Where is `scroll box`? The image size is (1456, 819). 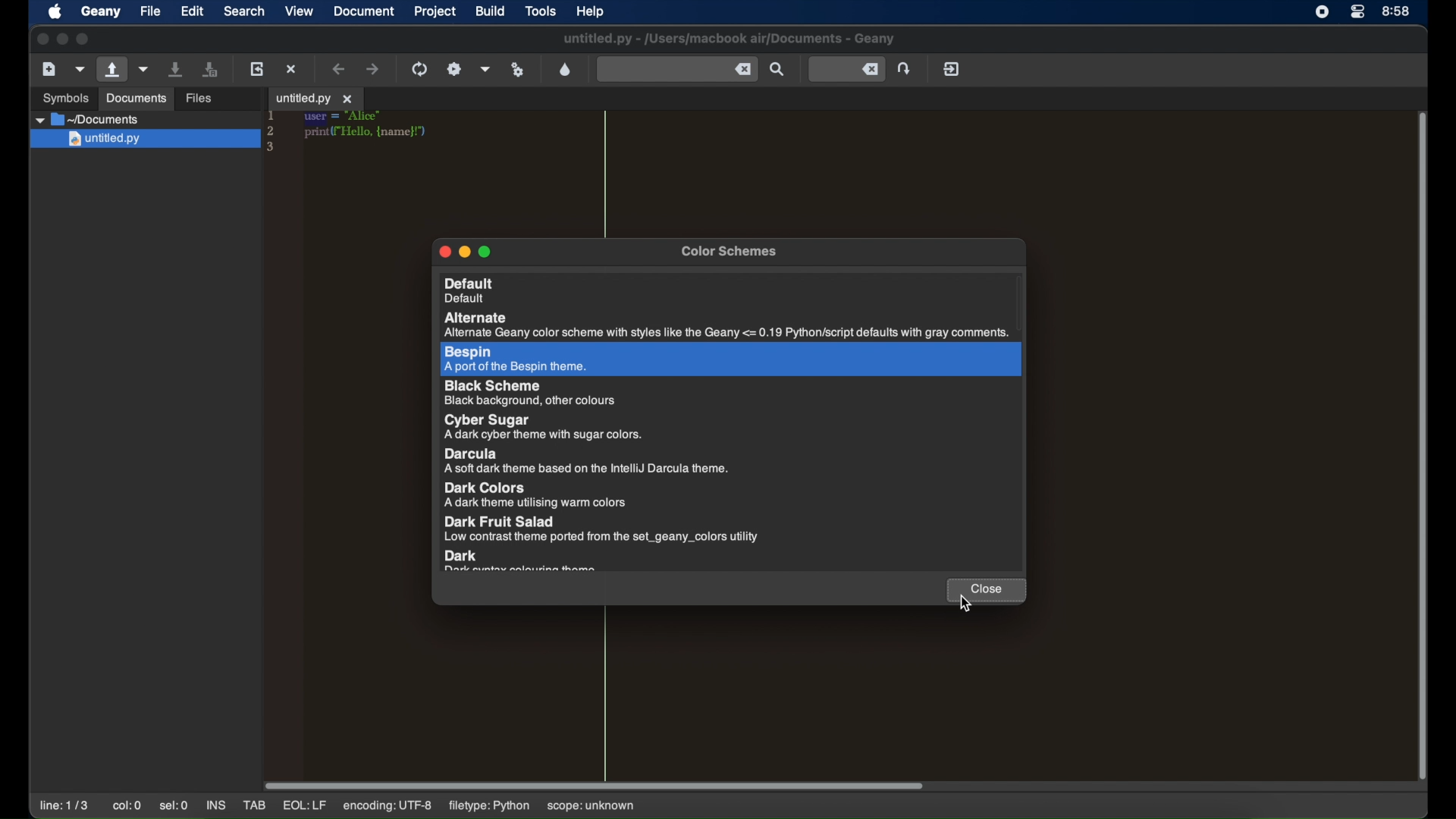
scroll box is located at coordinates (595, 786).